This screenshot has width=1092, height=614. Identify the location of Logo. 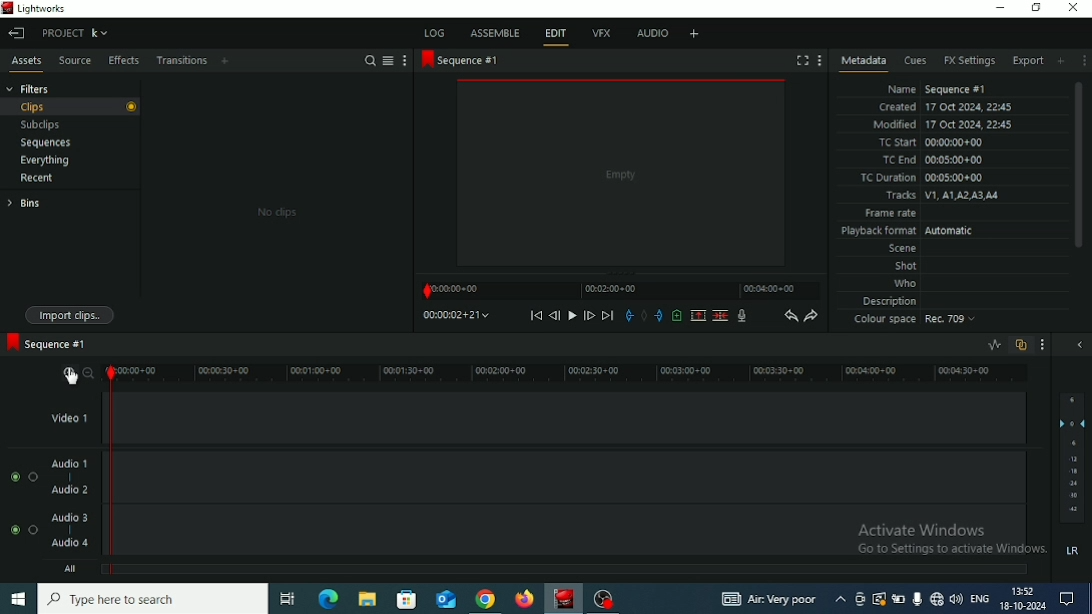
(7, 7).